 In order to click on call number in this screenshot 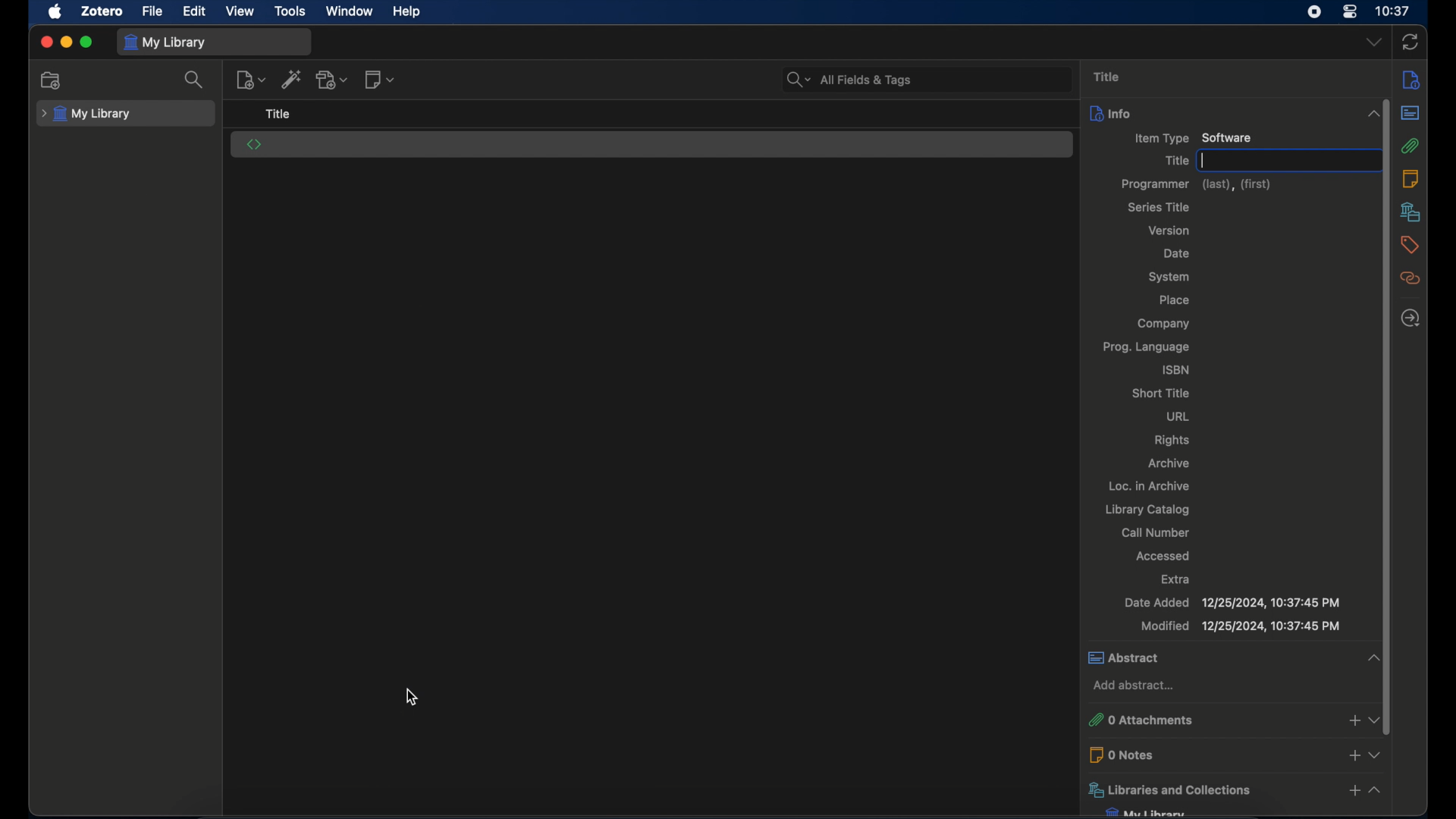, I will do `click(1155, 532)`.